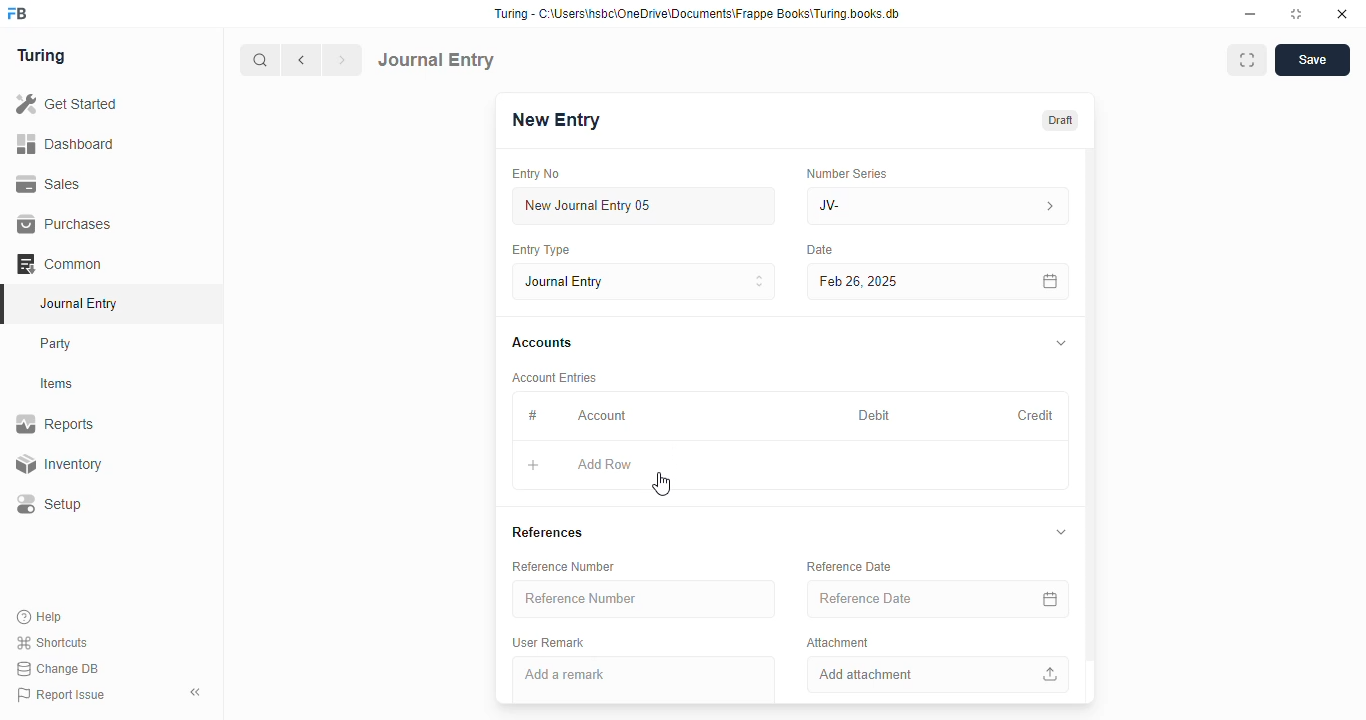 The image size is (1366, 720). What do you see at coordinates (542, 343) in the screenshot?
I see `accounts` at bounding box center [542, 343].